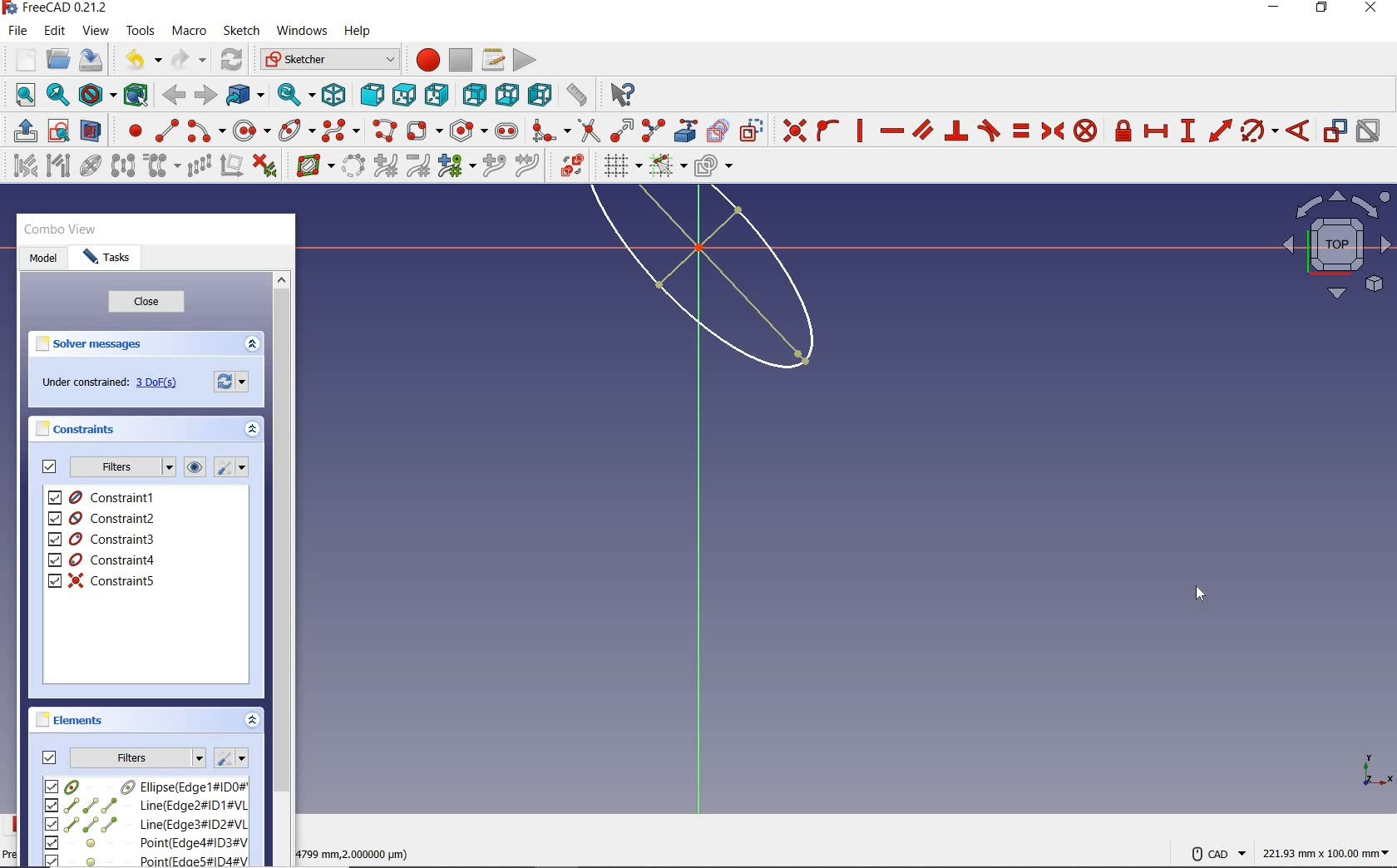  Describe the element at coordinates (1334, 244) in the screenshot. I see `sketch view` at that location.